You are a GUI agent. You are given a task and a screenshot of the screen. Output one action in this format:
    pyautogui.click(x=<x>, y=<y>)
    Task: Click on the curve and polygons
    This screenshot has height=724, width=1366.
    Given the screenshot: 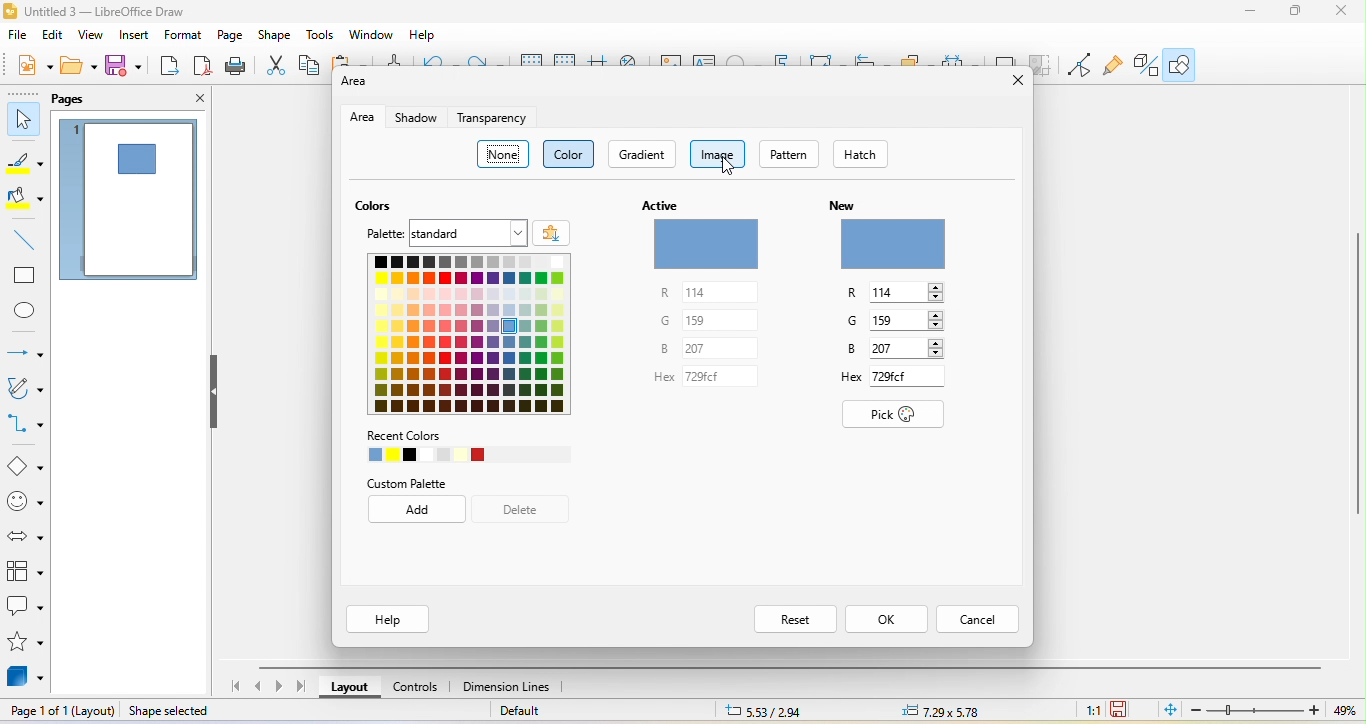 What is the action you would take?
    pyautogui.click(x=26, y=391)
    